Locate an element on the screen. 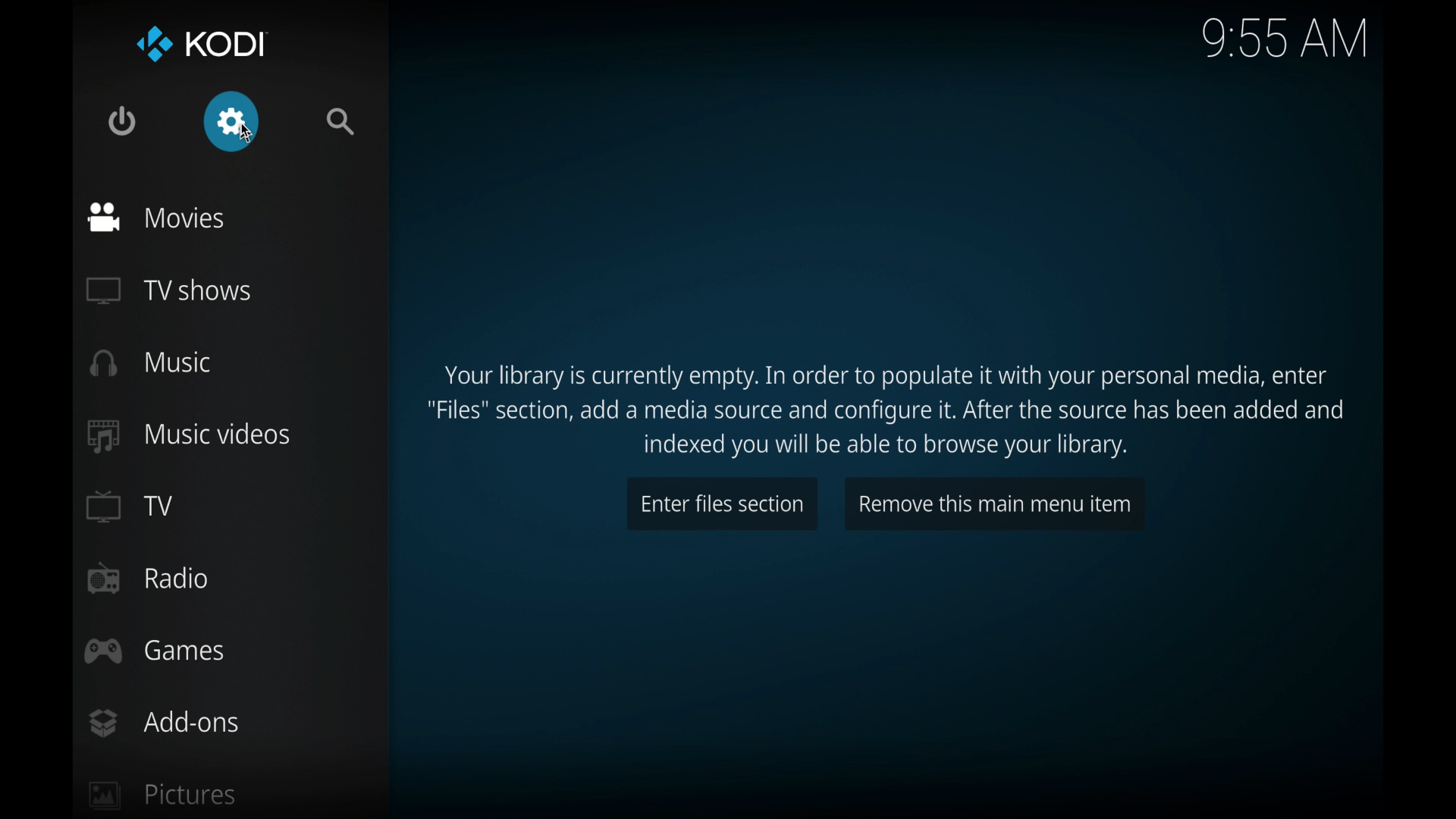 This screenshot has width=1456, height=819. enter files section is located at coordinates (723, 504).